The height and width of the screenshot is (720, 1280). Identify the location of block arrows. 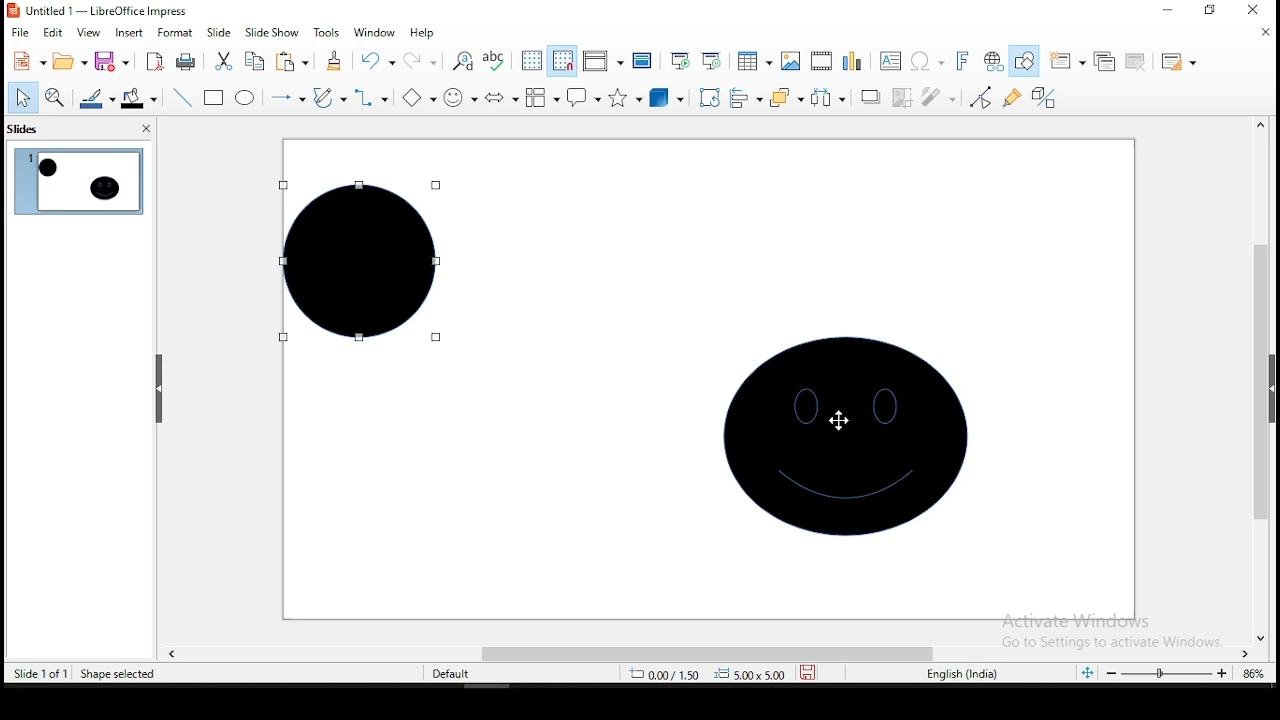
(500, 97).